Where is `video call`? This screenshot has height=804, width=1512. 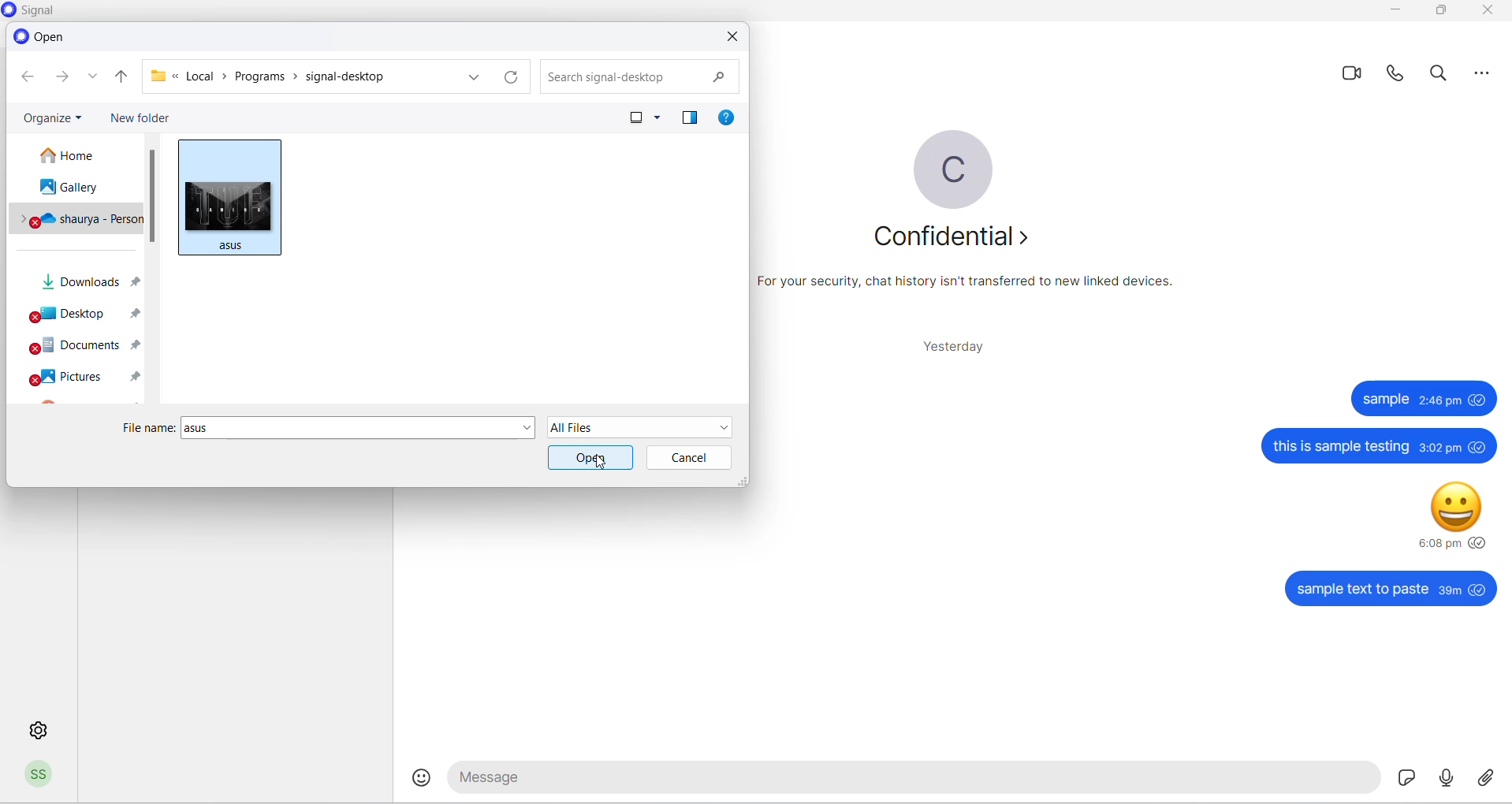 video call is located at coordinates (1354, 74).